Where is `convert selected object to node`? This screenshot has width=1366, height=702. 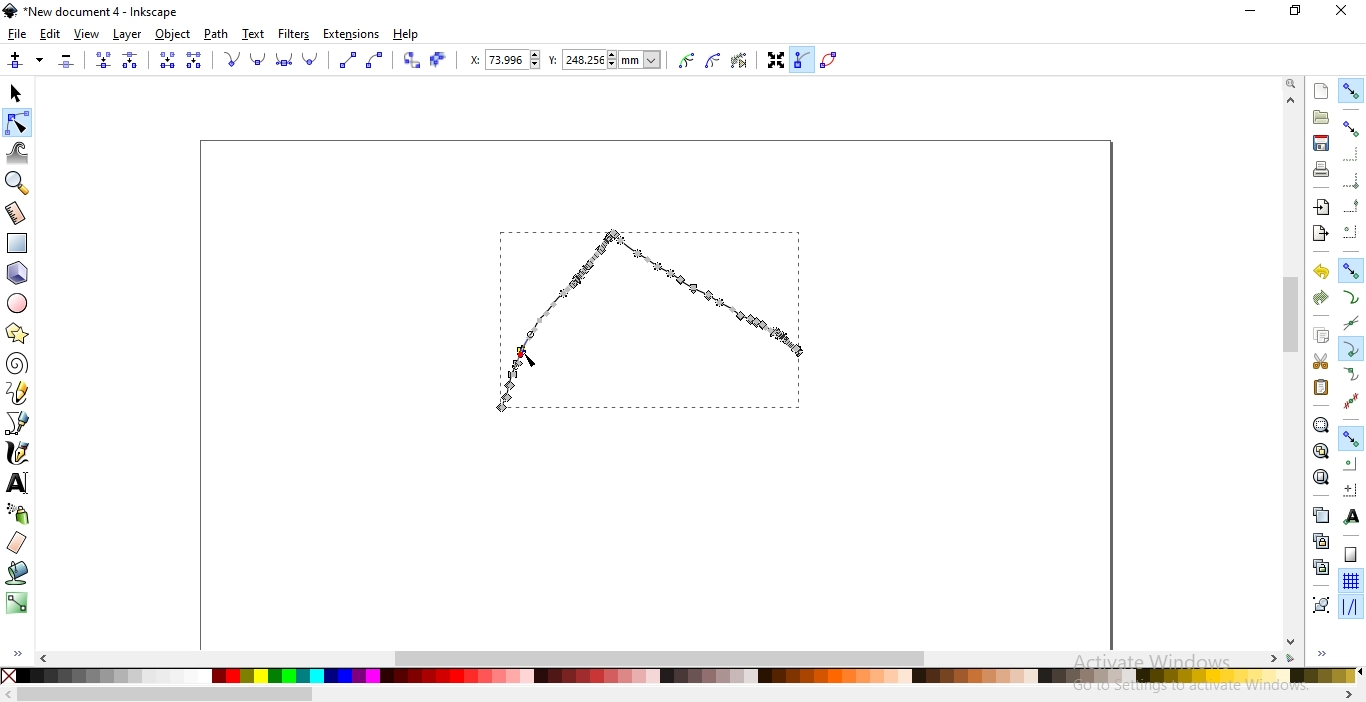
convert selected object to node is located at coordinates (410, 61).